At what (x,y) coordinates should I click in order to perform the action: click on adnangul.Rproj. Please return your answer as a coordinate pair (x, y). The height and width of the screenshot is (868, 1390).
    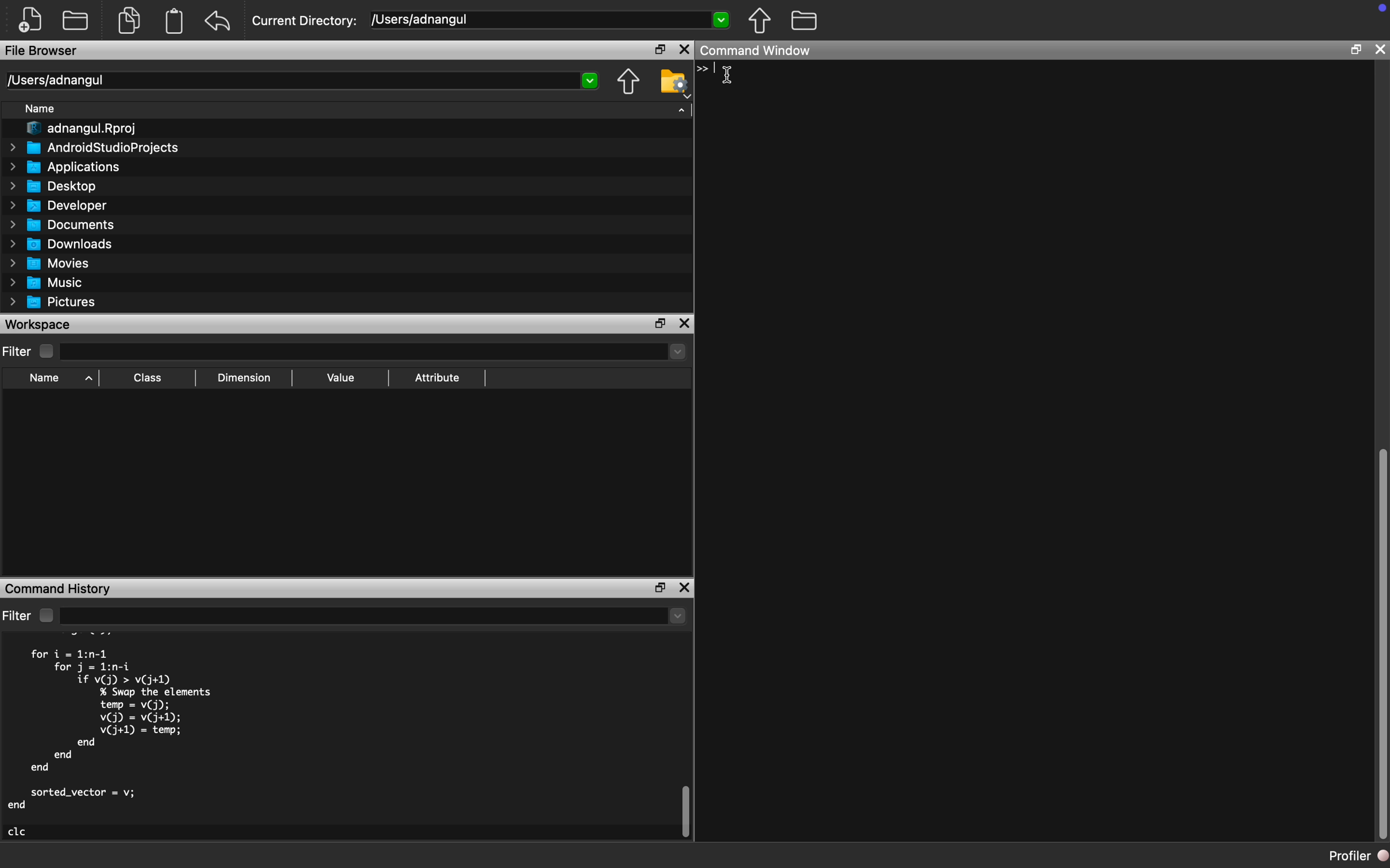
    Looking at the image, I should click on (82, 129).